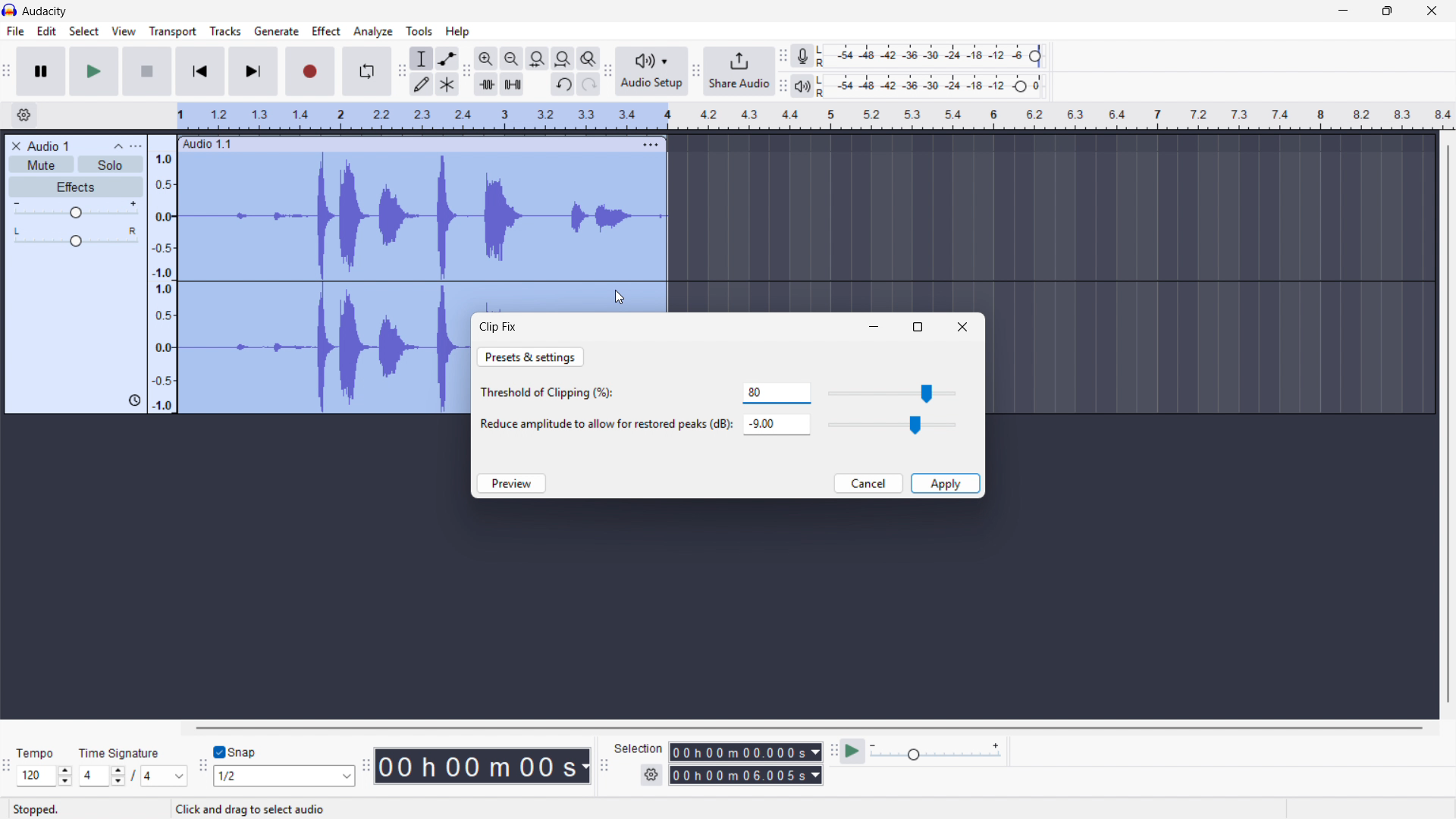  What do you see at coordinates (639, 748) in the screenshot?
I see `selection` at bounding box center [639, 748].